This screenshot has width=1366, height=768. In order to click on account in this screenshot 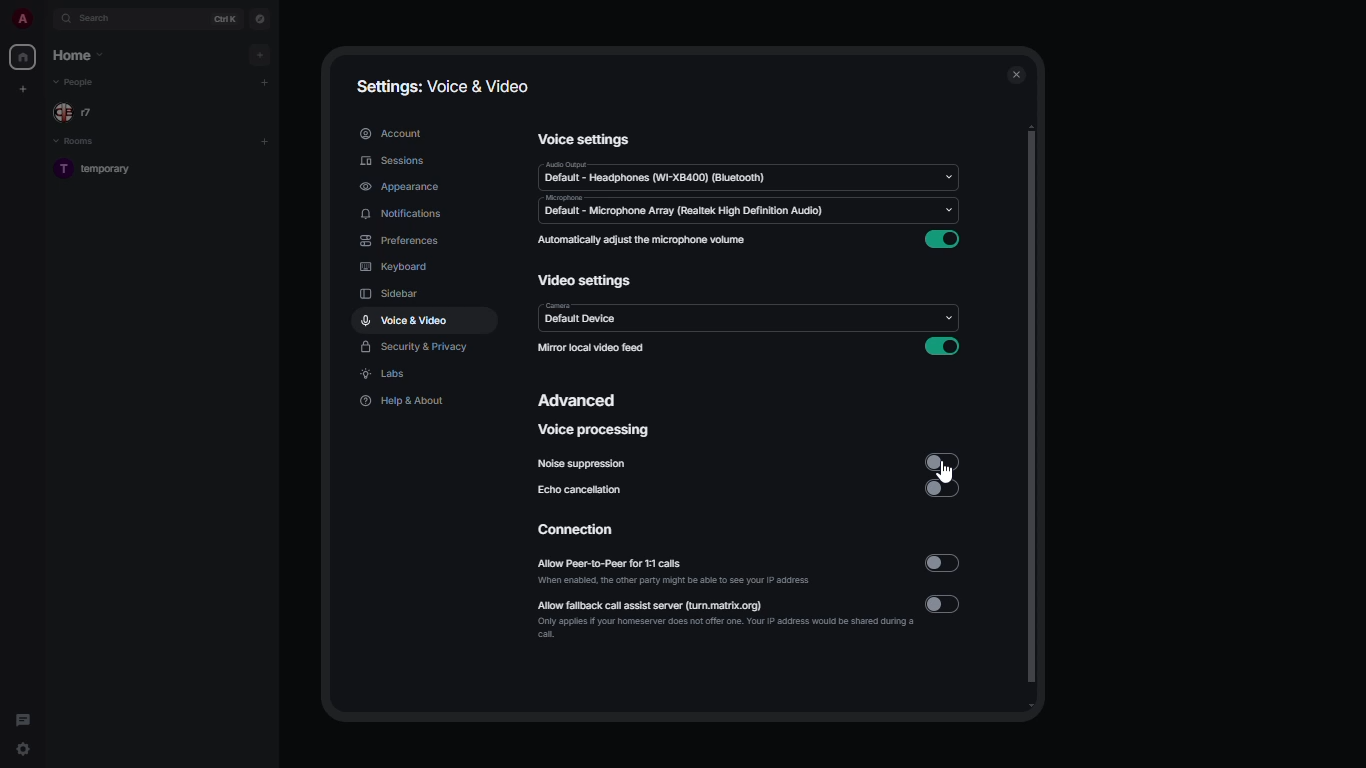, I will do `click(390, 132)`.